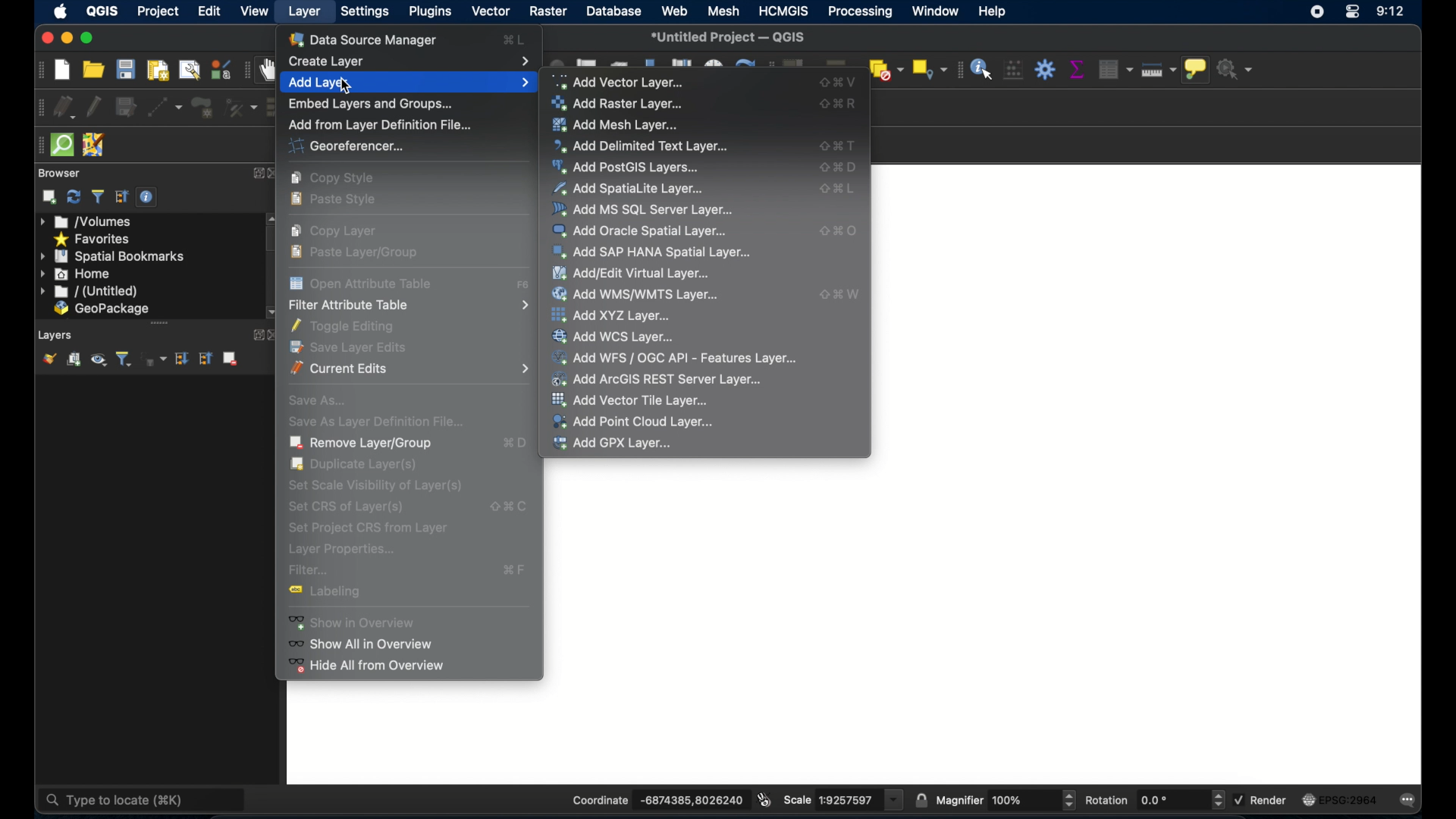 This screenshot has height=819, width=1456. Describe the element at coordinates (97, 196) in the screenshot. I see `filter browser` at that location.